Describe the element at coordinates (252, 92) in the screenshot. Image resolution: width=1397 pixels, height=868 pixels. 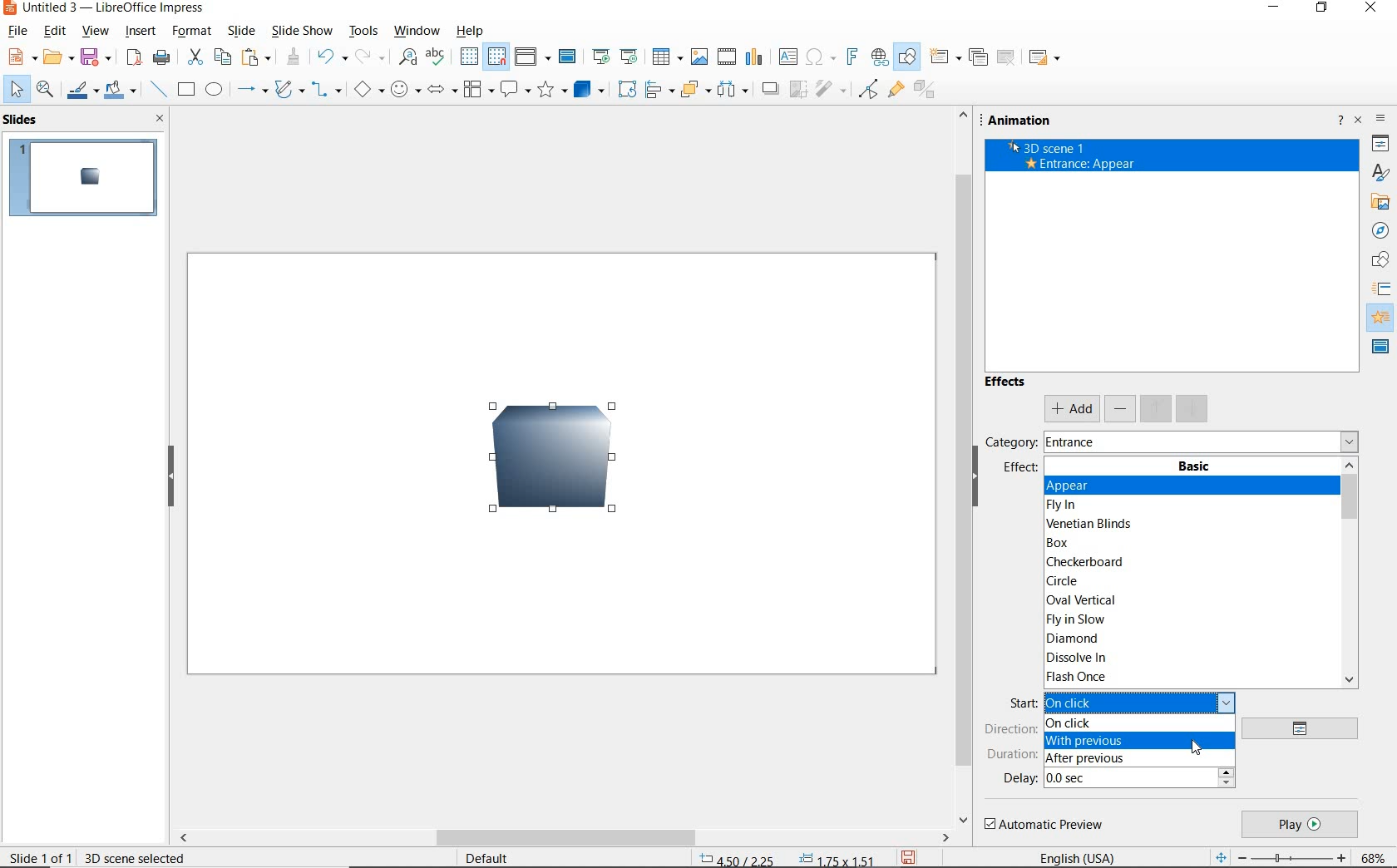
I see `lines and arrows` at that location.